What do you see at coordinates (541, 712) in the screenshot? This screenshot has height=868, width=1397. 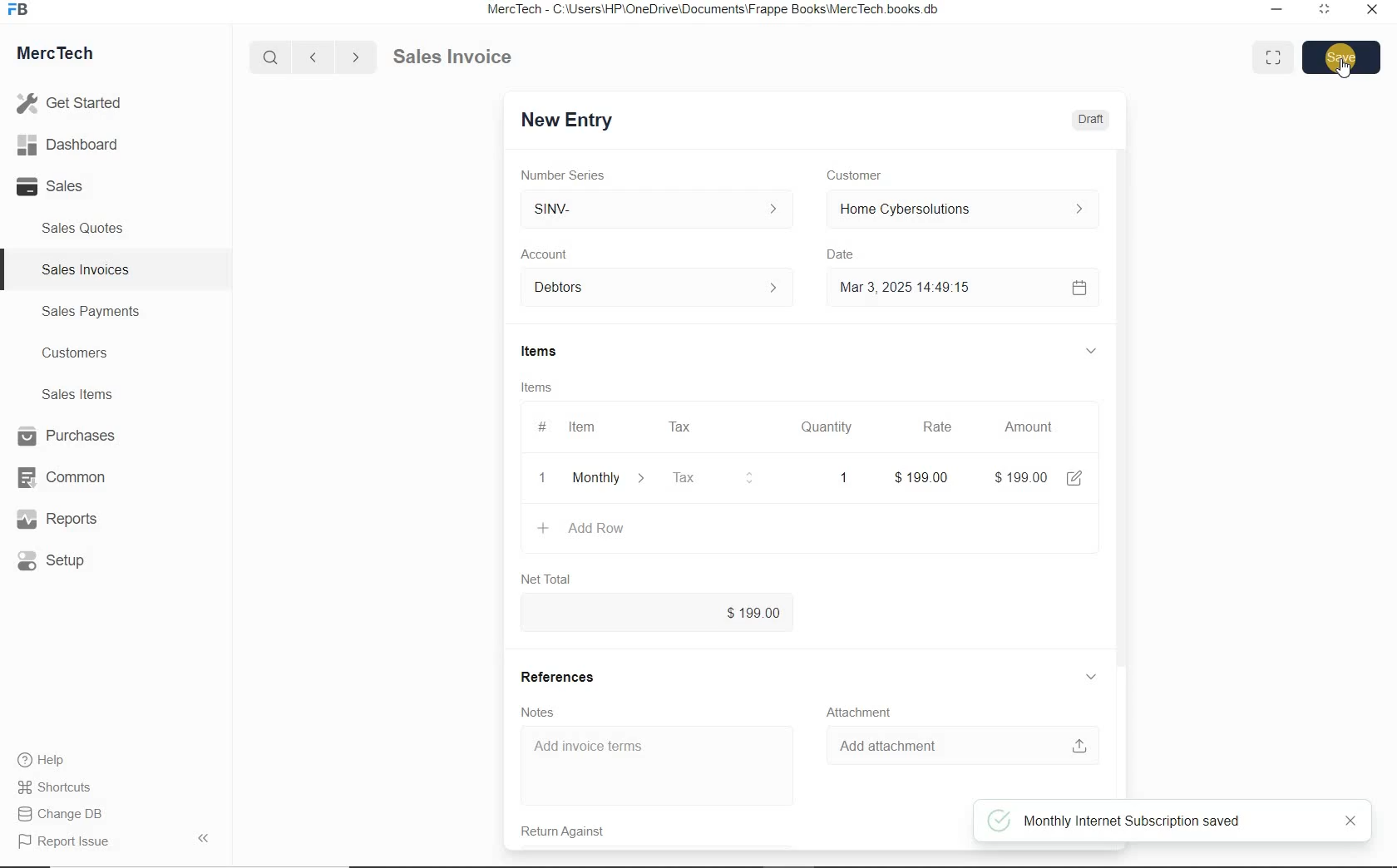 I see `Notes` at bounding box center [541, 712].